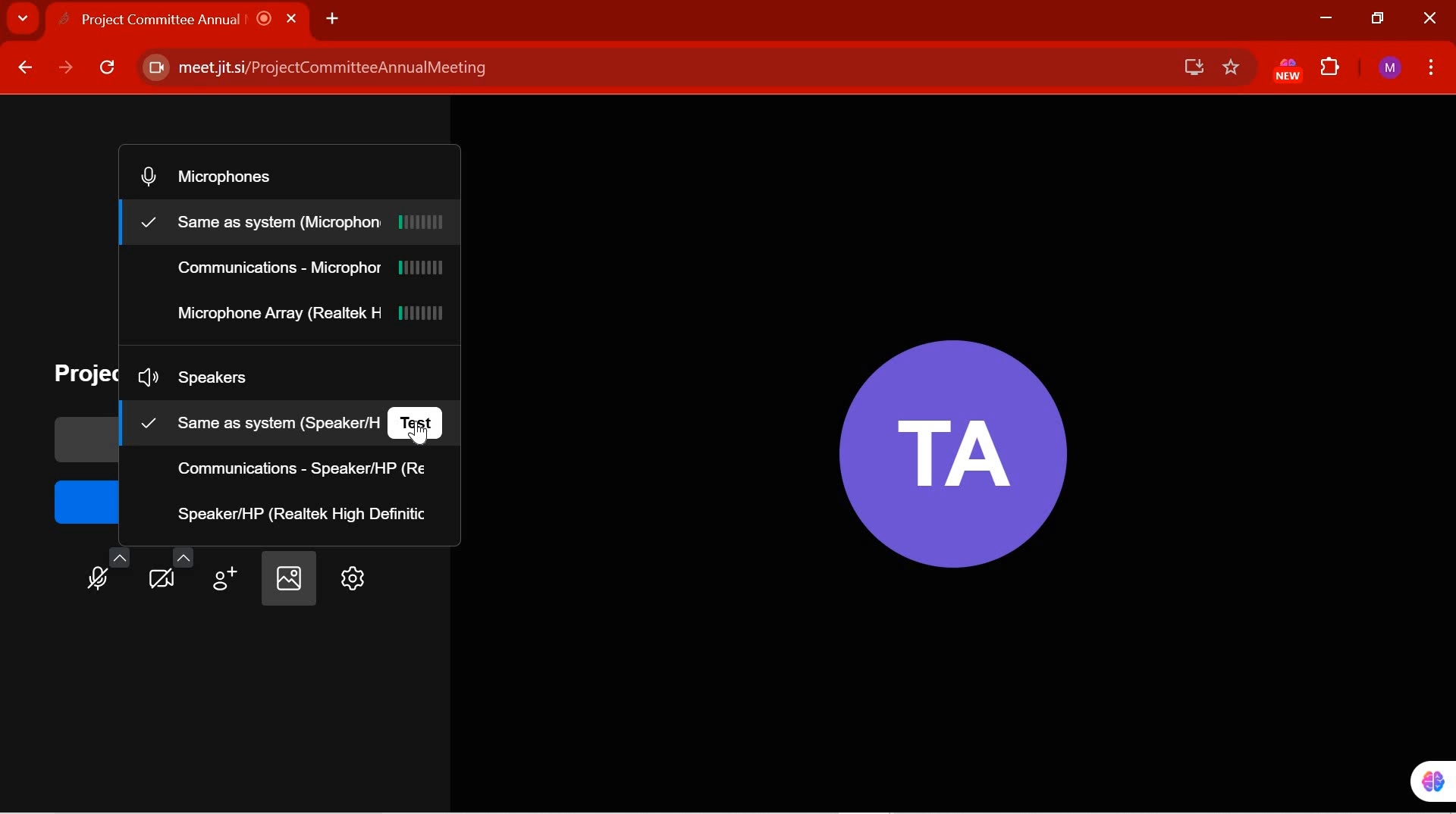 This screenshot has height=814, width=1456. I want to click on BACK, so click(24, 68).